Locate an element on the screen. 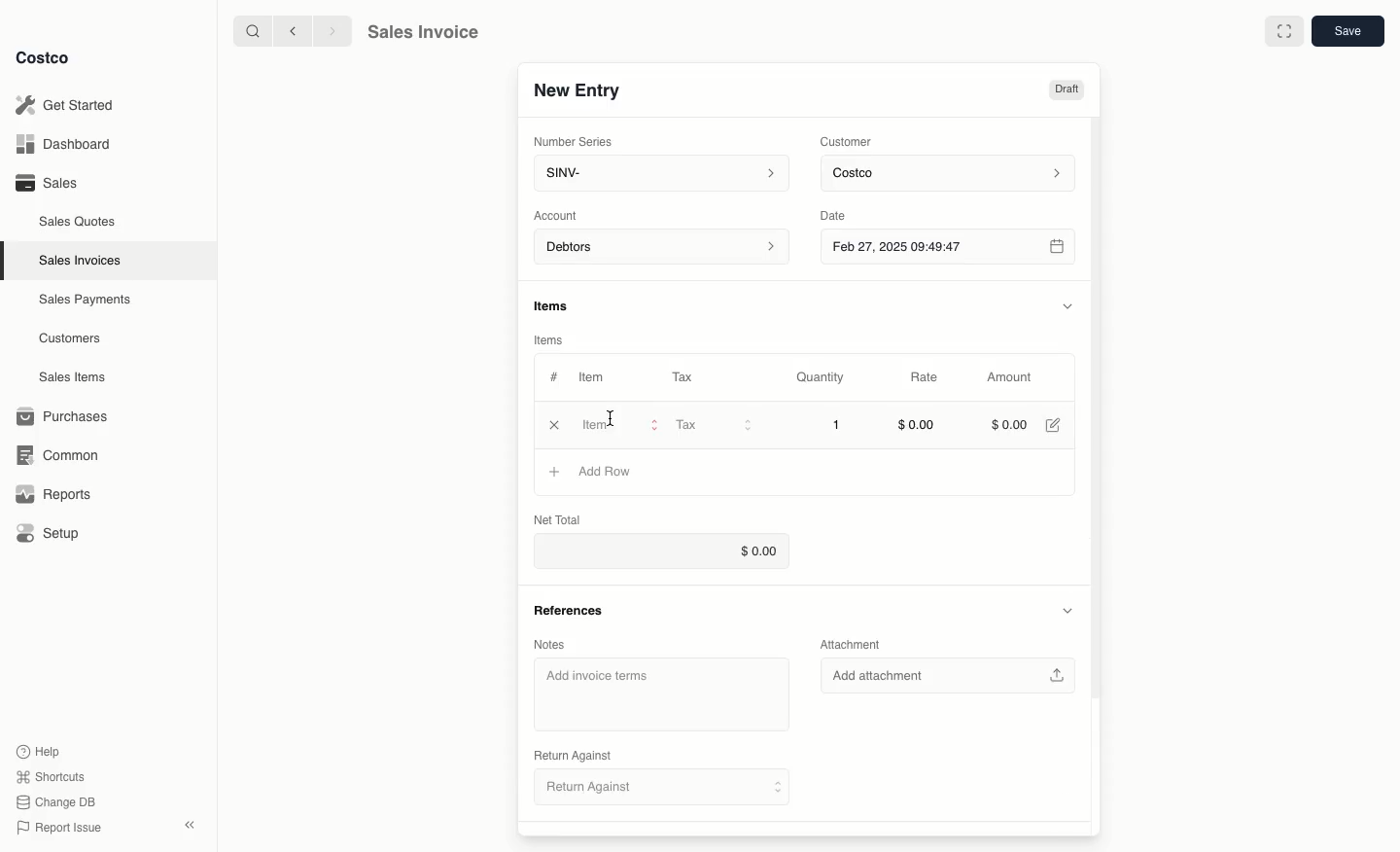 The width and height of the screenshot is (1400, 852). Net Total is located at coordinates (564, 518).